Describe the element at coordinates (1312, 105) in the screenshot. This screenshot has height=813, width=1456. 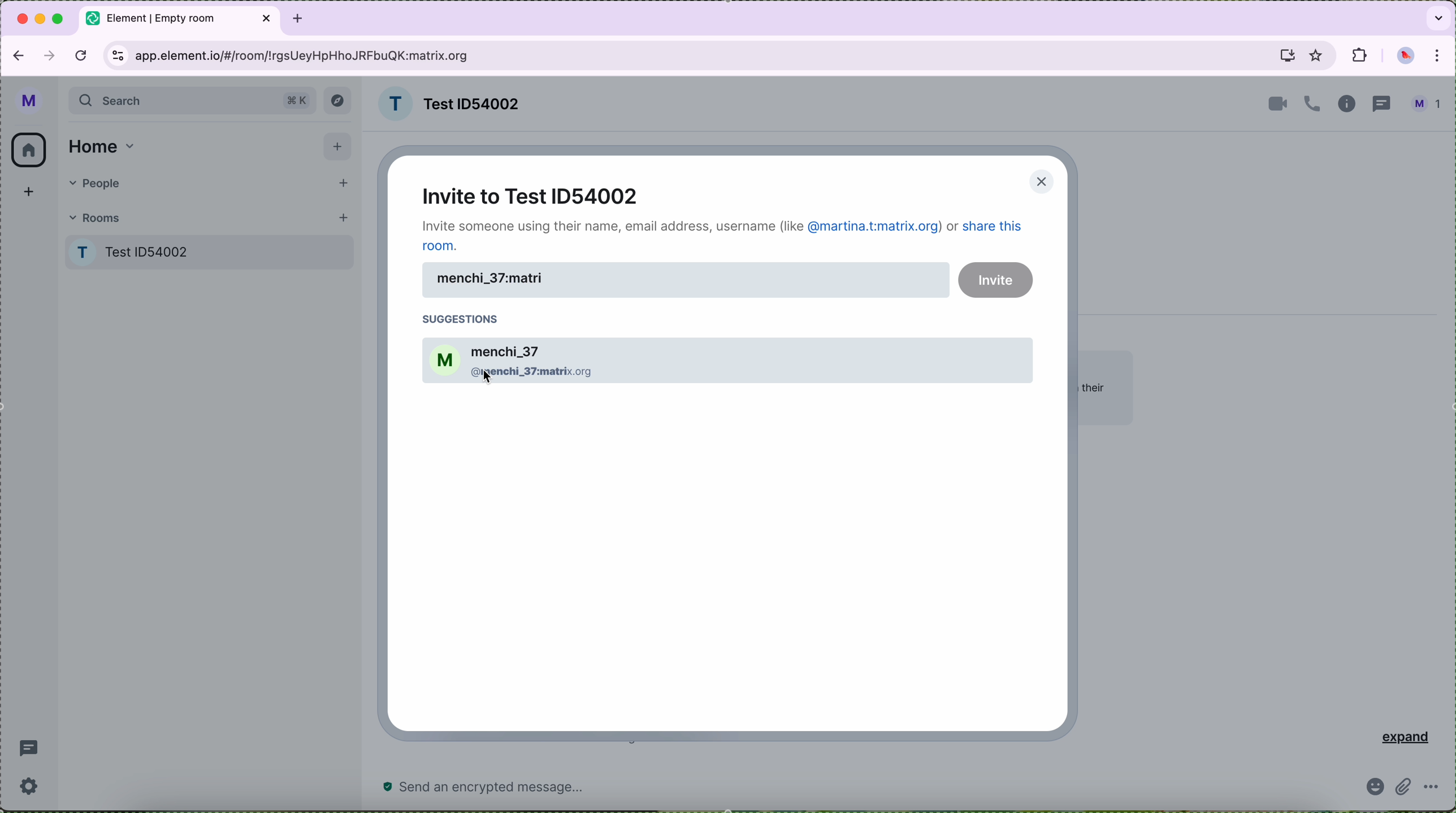
I see `call` at that location.